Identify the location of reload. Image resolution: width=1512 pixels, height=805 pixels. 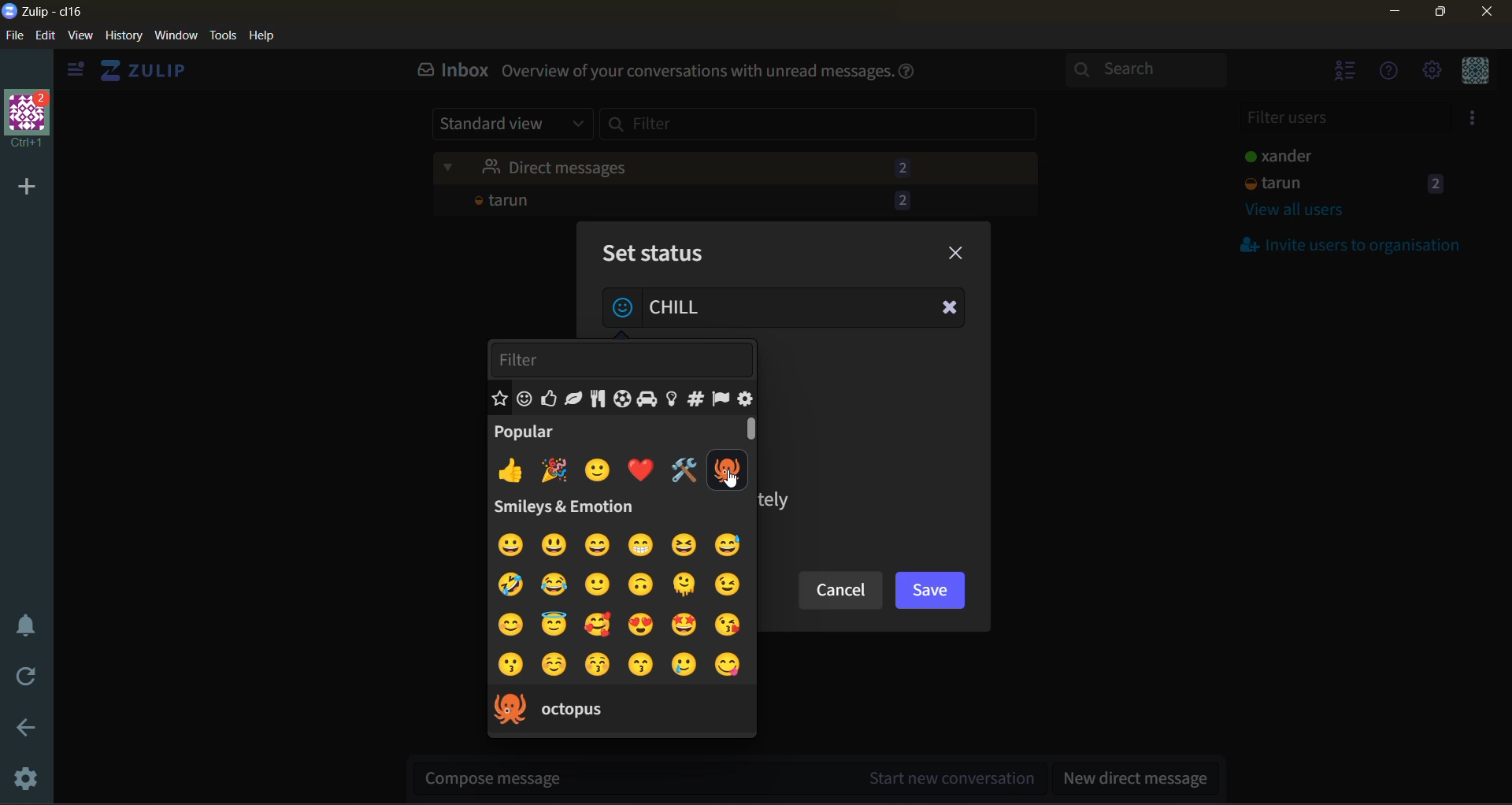
(25, 677).